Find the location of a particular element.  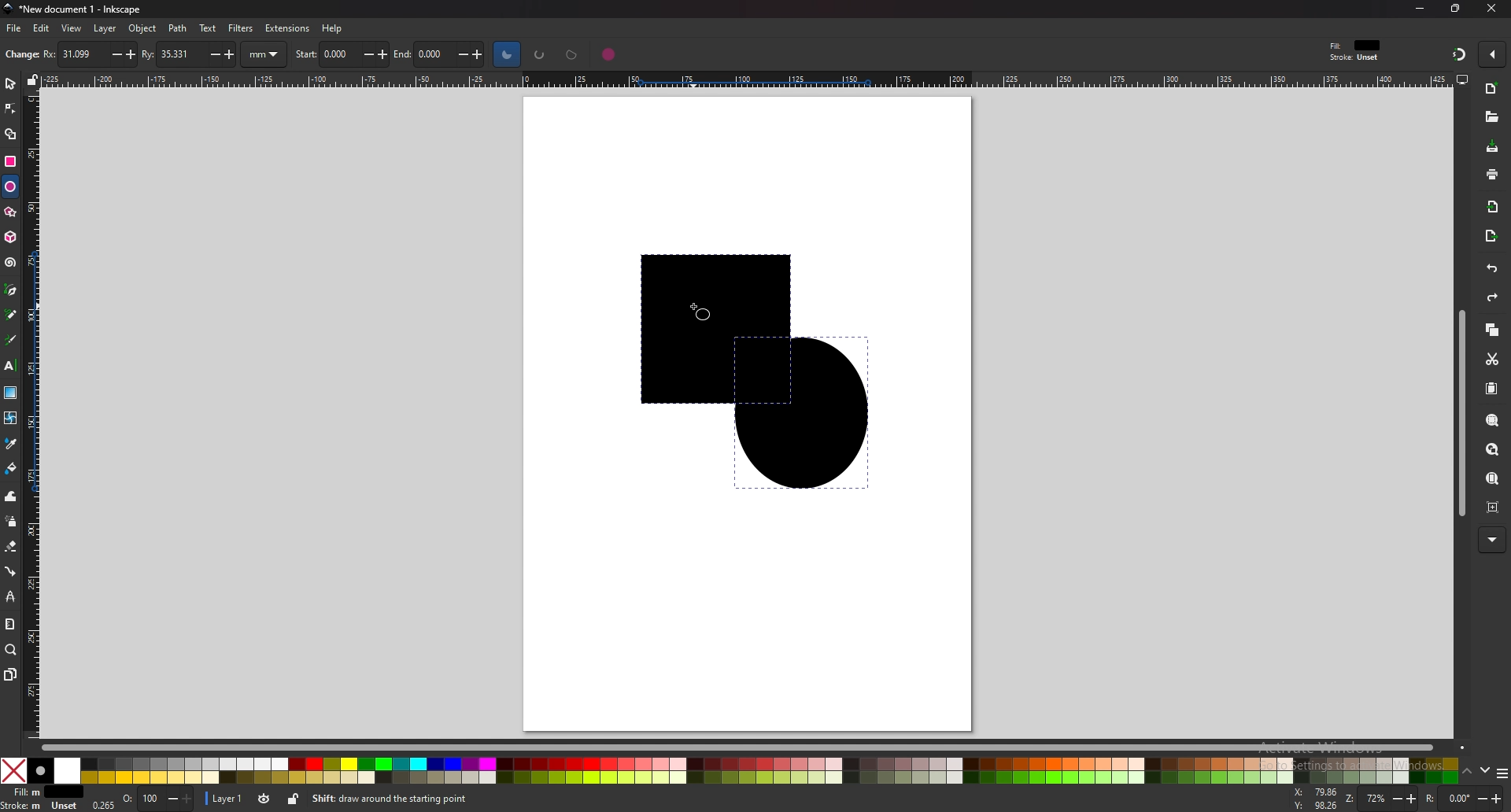

snapping is located at coordinates (1457, 54).